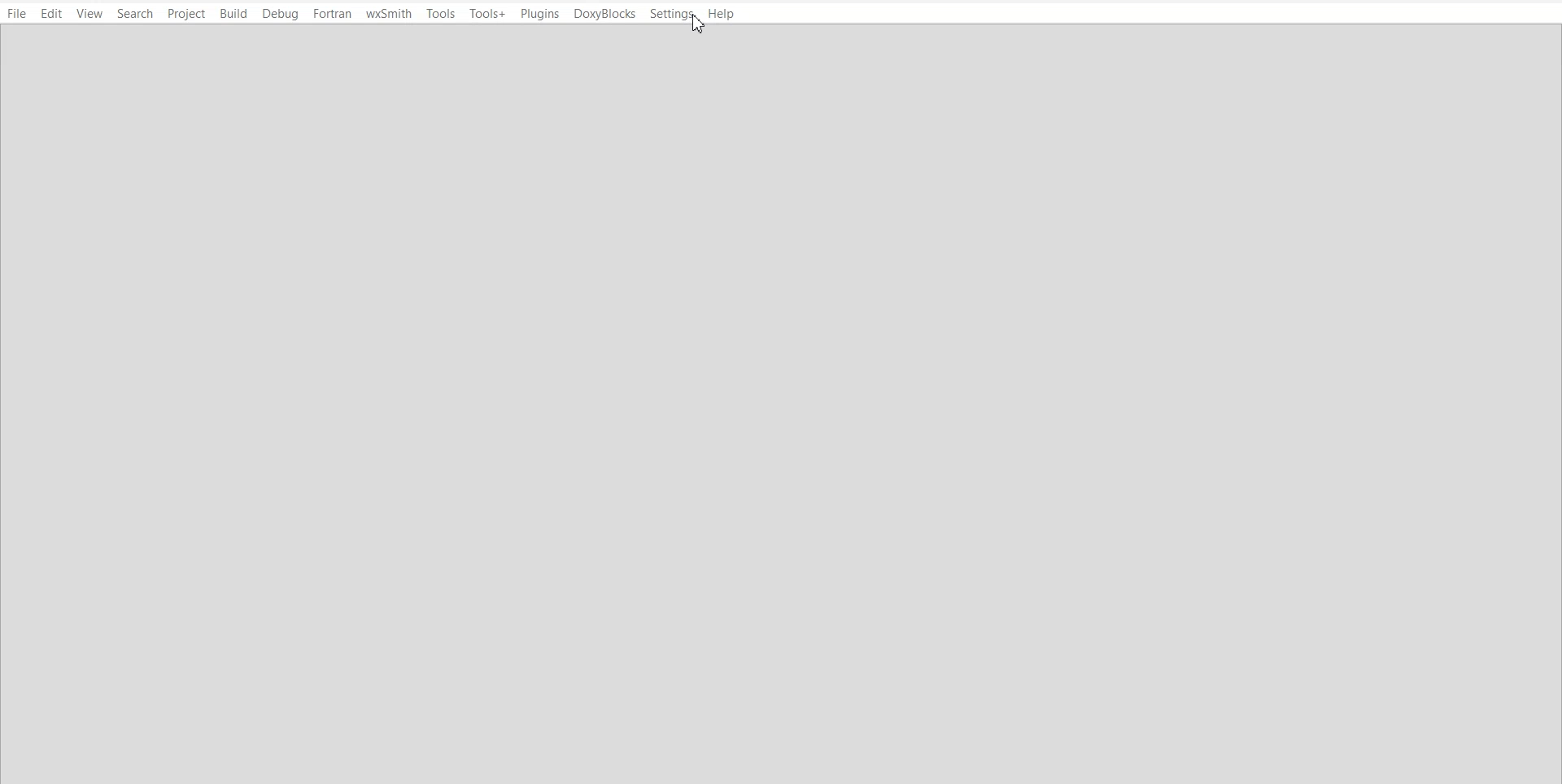 The image size is (1562, 784). I want to click on File , so click(16, 14).